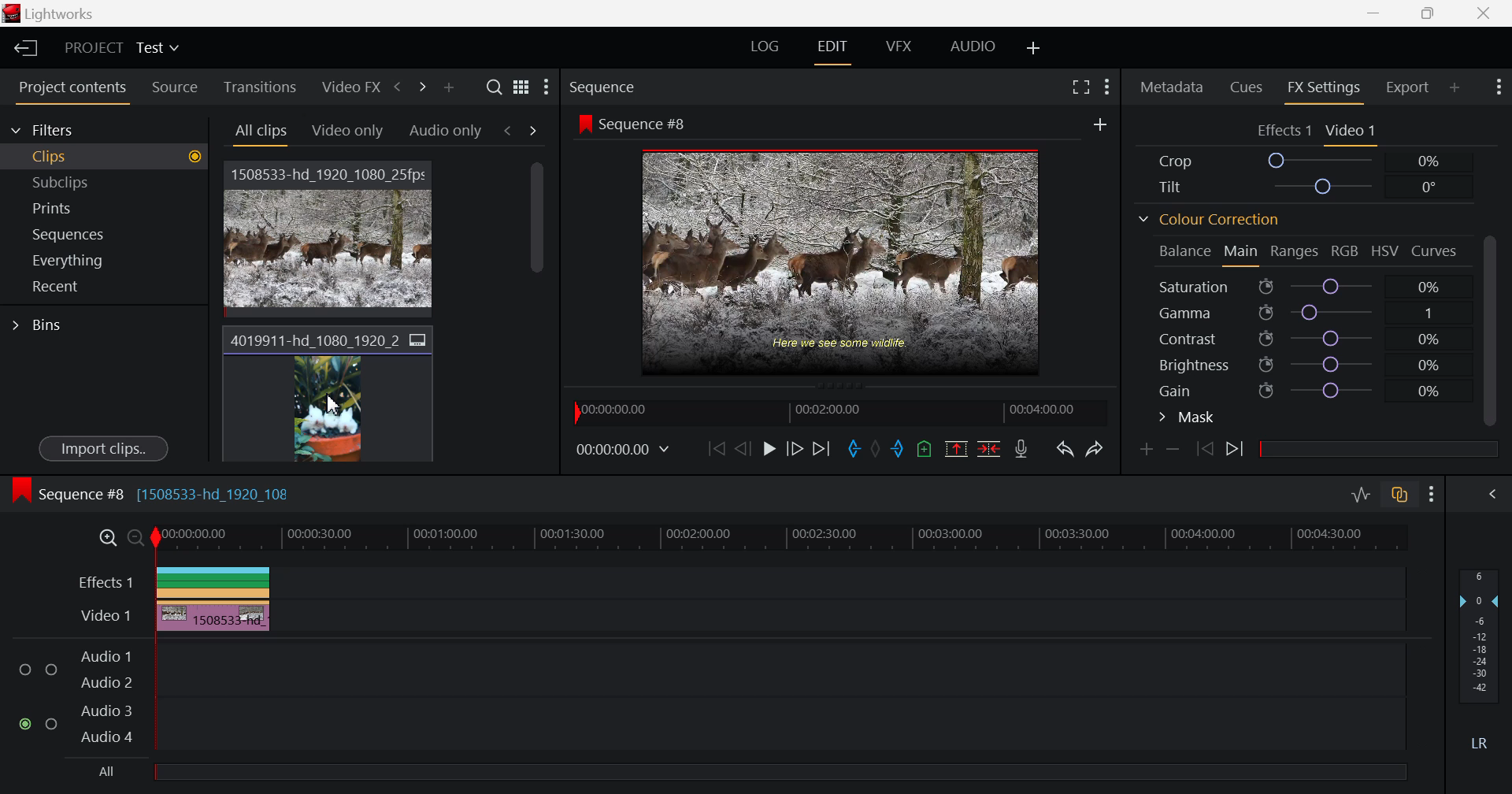 The image size is (1512, 794). What do you see at coordinates (1177, 449) in the screenshot?
I see `Lower keyframe` at bounding box center [1177, 449].